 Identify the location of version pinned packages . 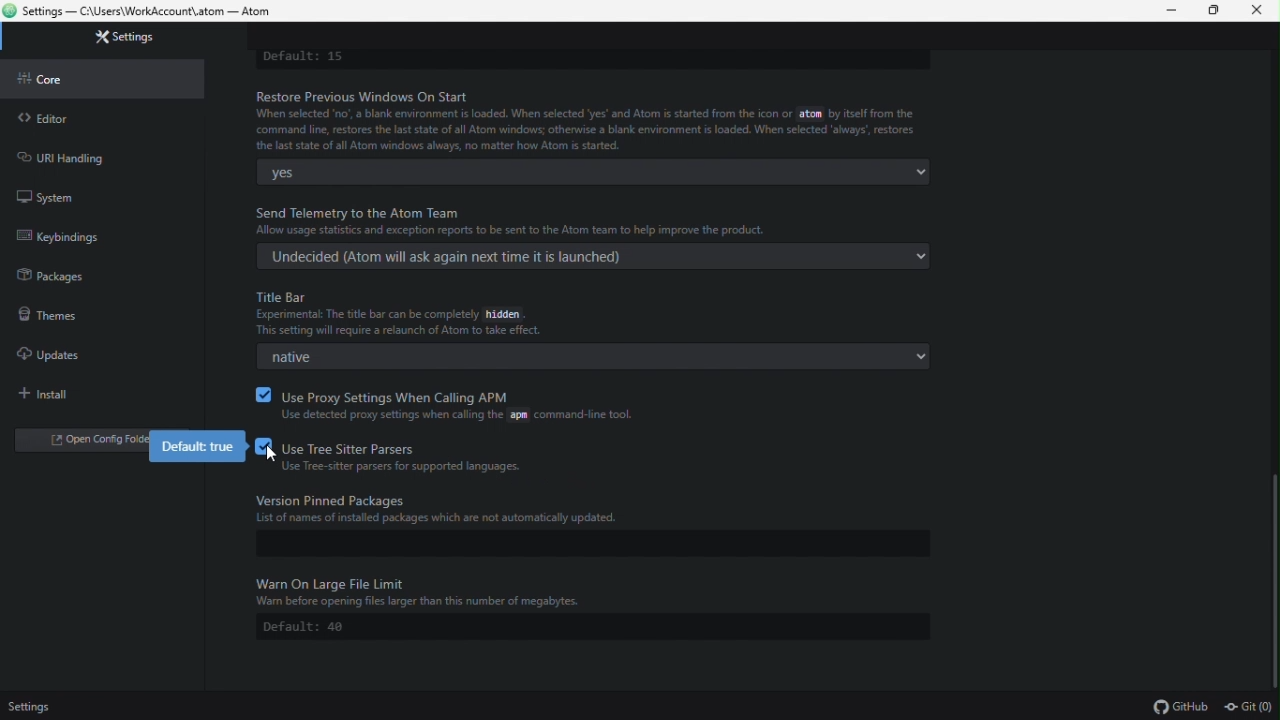
(588, 510).